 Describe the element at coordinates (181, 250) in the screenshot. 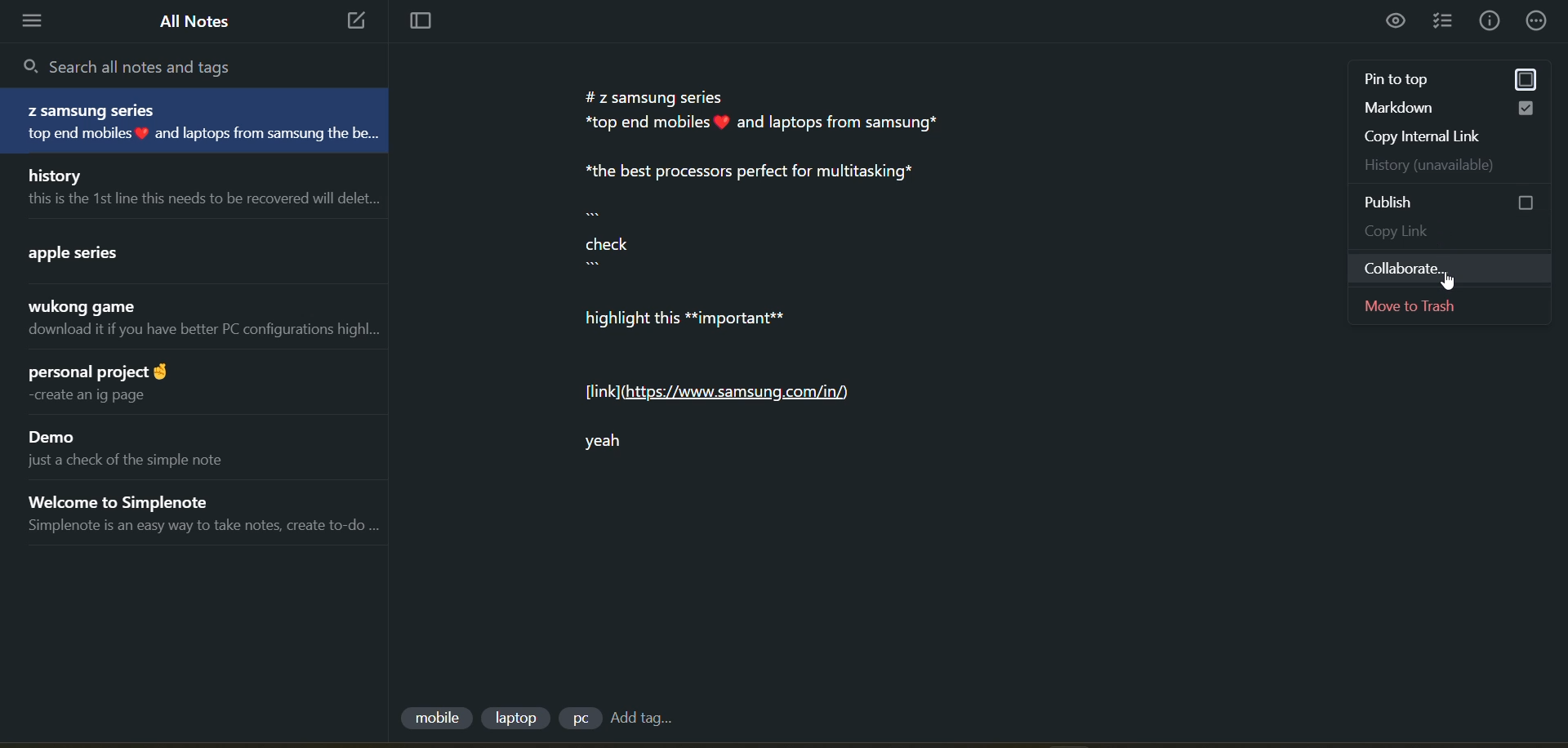

I see `note title and preview` at that location.